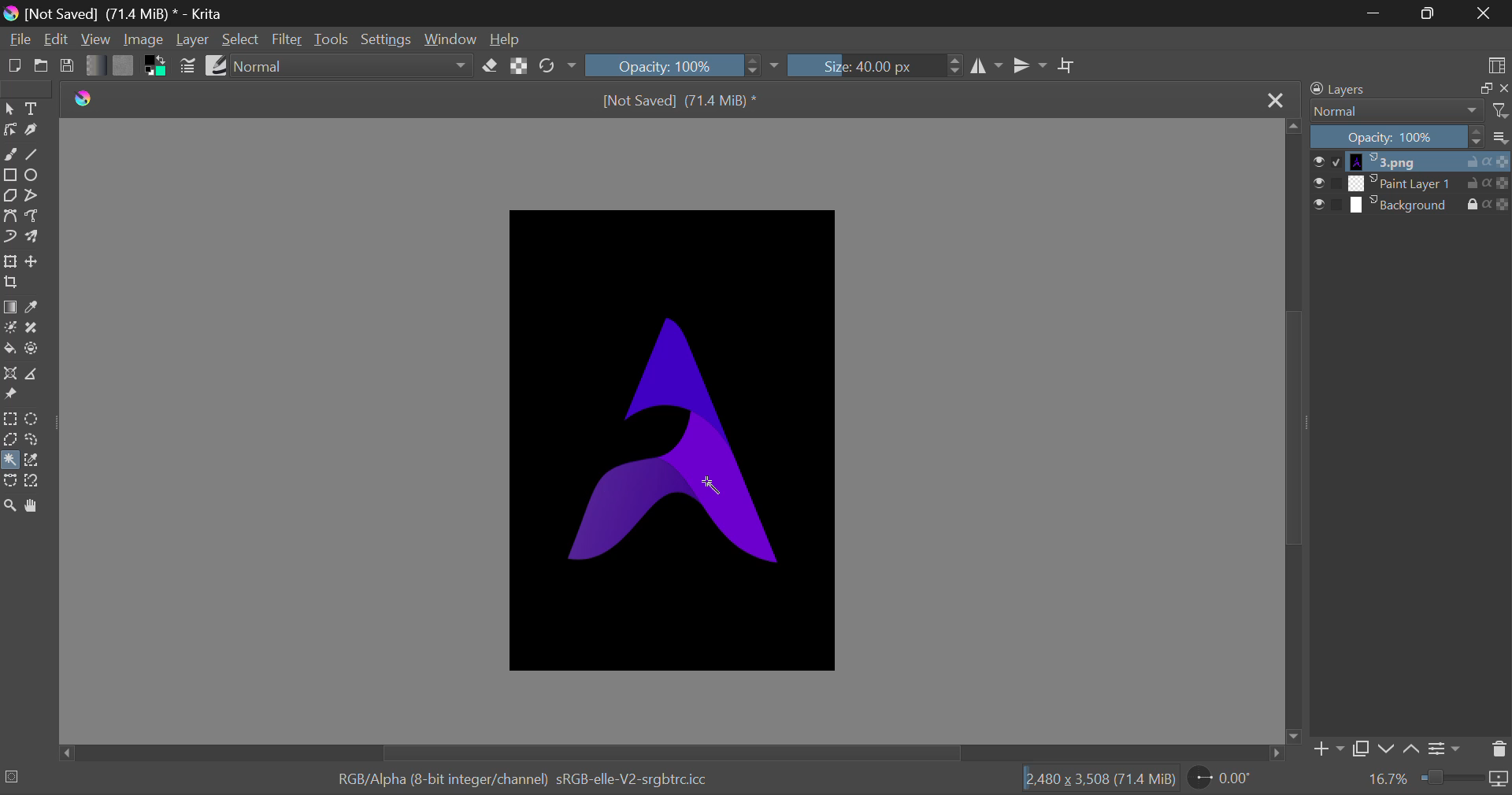 The image size is (1512, 795). Describe the element at coordinates (1395, 113) in the screenshot. I see `Blending Modes` at that location.